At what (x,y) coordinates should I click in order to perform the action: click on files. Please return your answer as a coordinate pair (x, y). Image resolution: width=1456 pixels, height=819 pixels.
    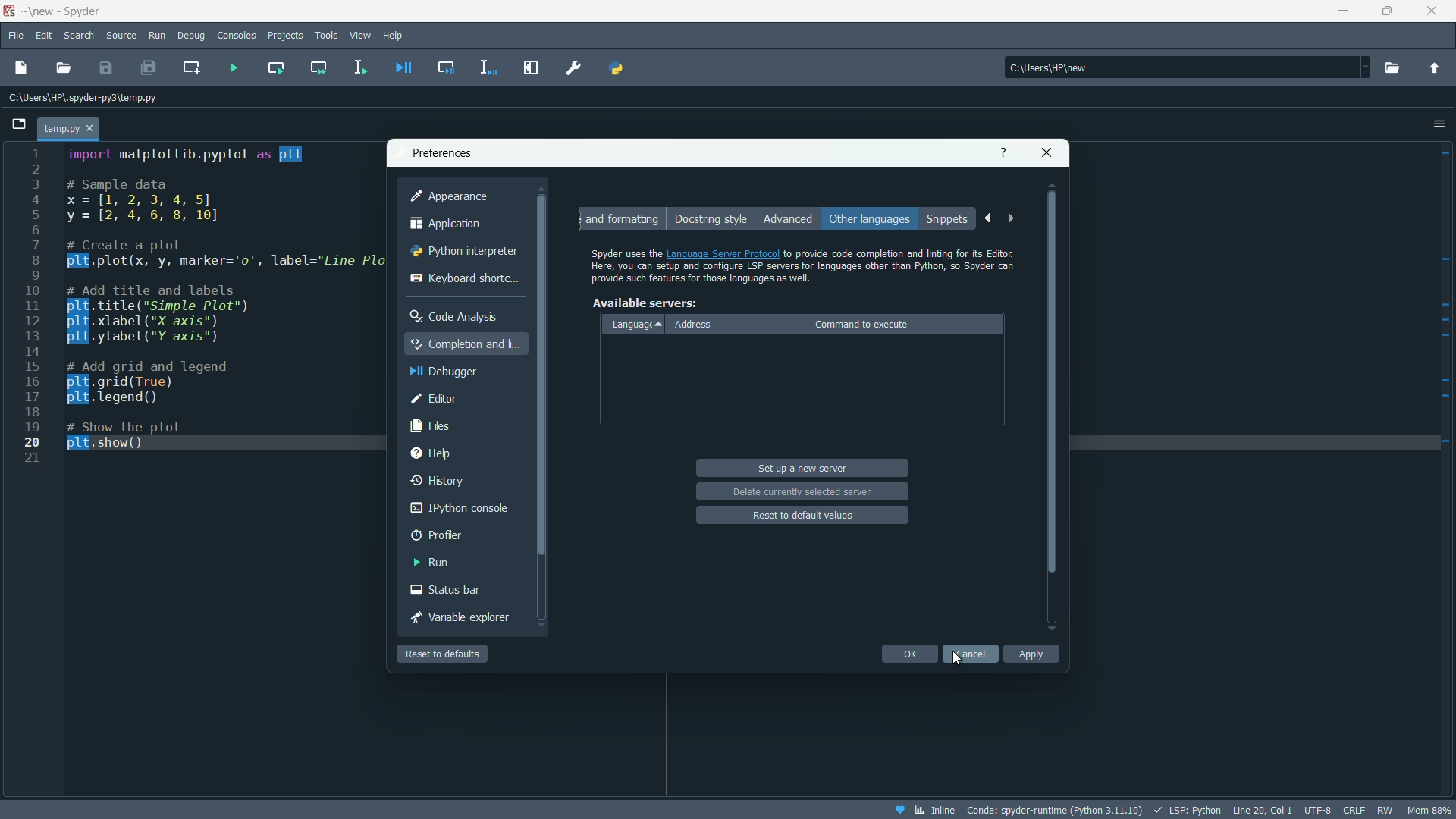
    Looking at the image, I should click on (433, 425).